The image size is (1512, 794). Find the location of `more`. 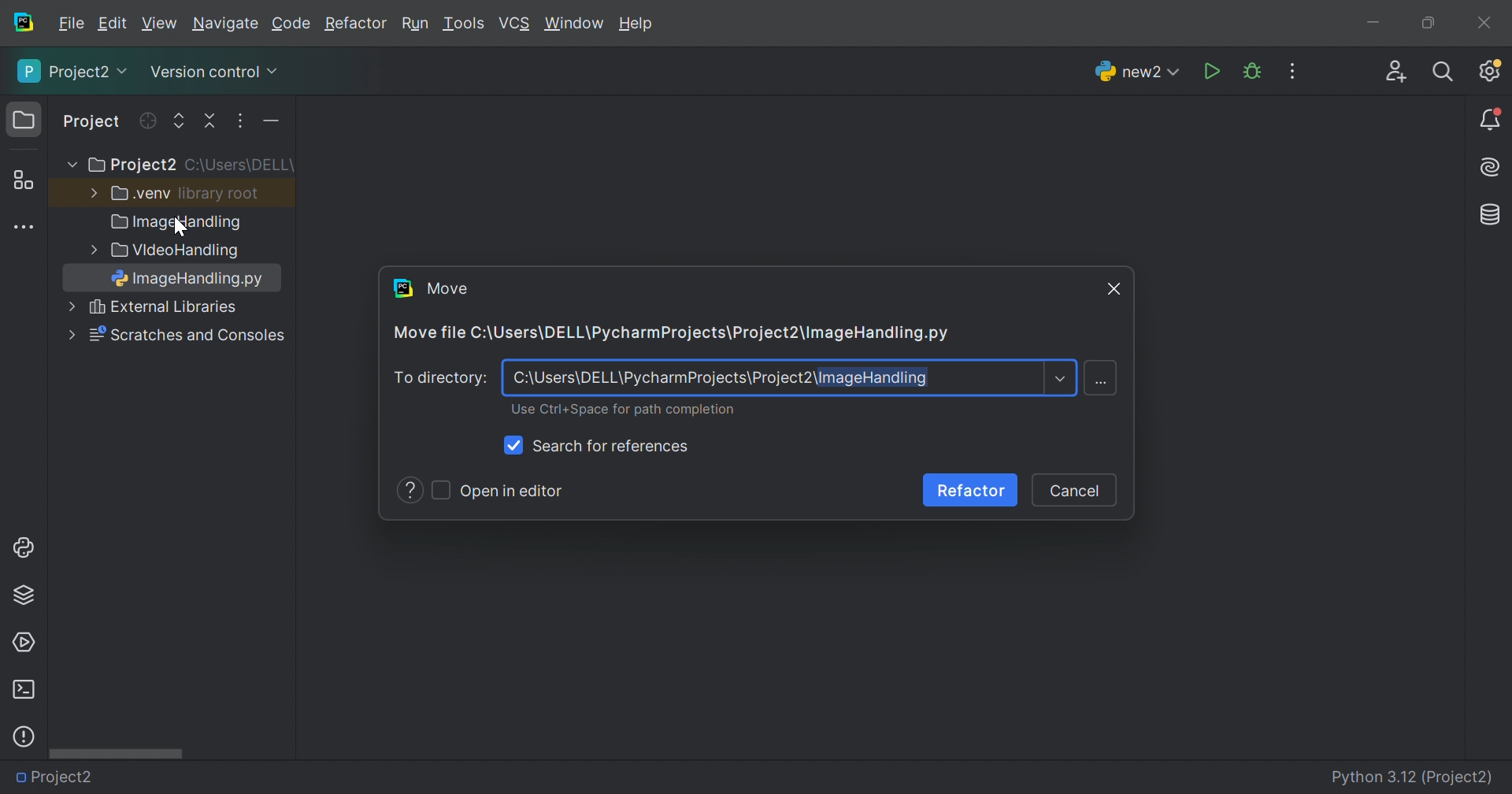

more is located at coordinates (90, 250).